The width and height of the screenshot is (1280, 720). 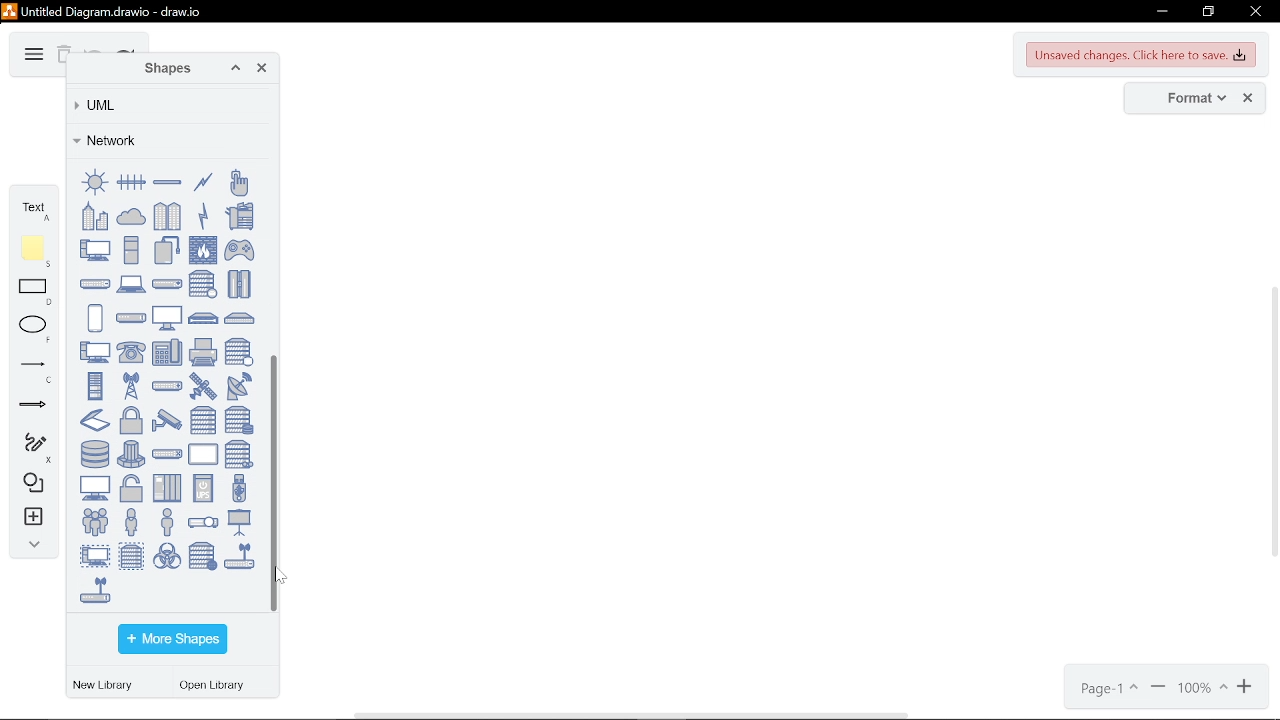 What do you see at coordinates (131, 318) in the screenshot?
I see `modem` at bounding box center [131, 318].